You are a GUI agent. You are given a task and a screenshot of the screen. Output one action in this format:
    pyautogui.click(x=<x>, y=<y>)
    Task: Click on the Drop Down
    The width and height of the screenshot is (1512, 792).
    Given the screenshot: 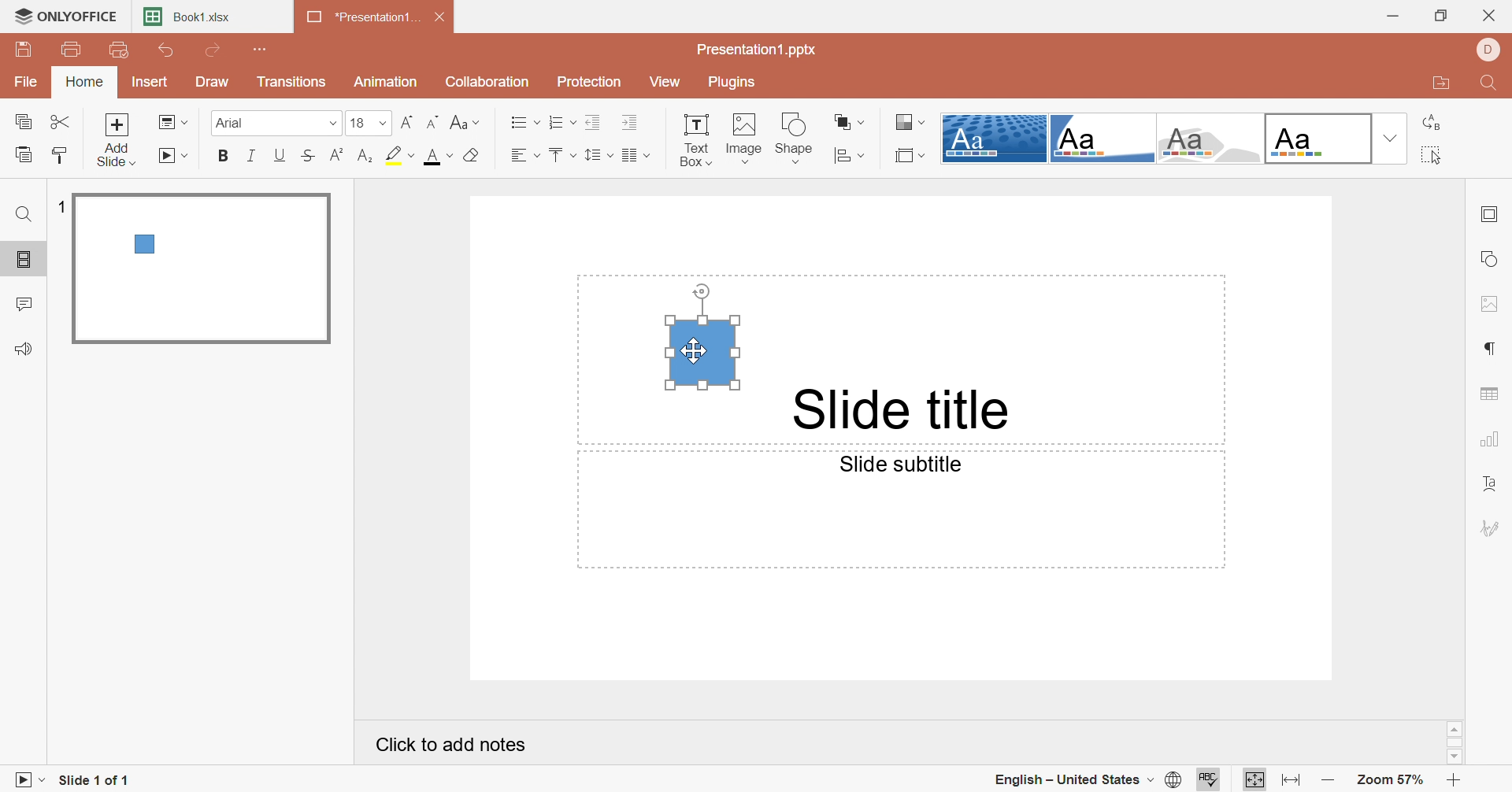 What is the action you would take?
    pyautogui.click(x=1392, y=138)
    